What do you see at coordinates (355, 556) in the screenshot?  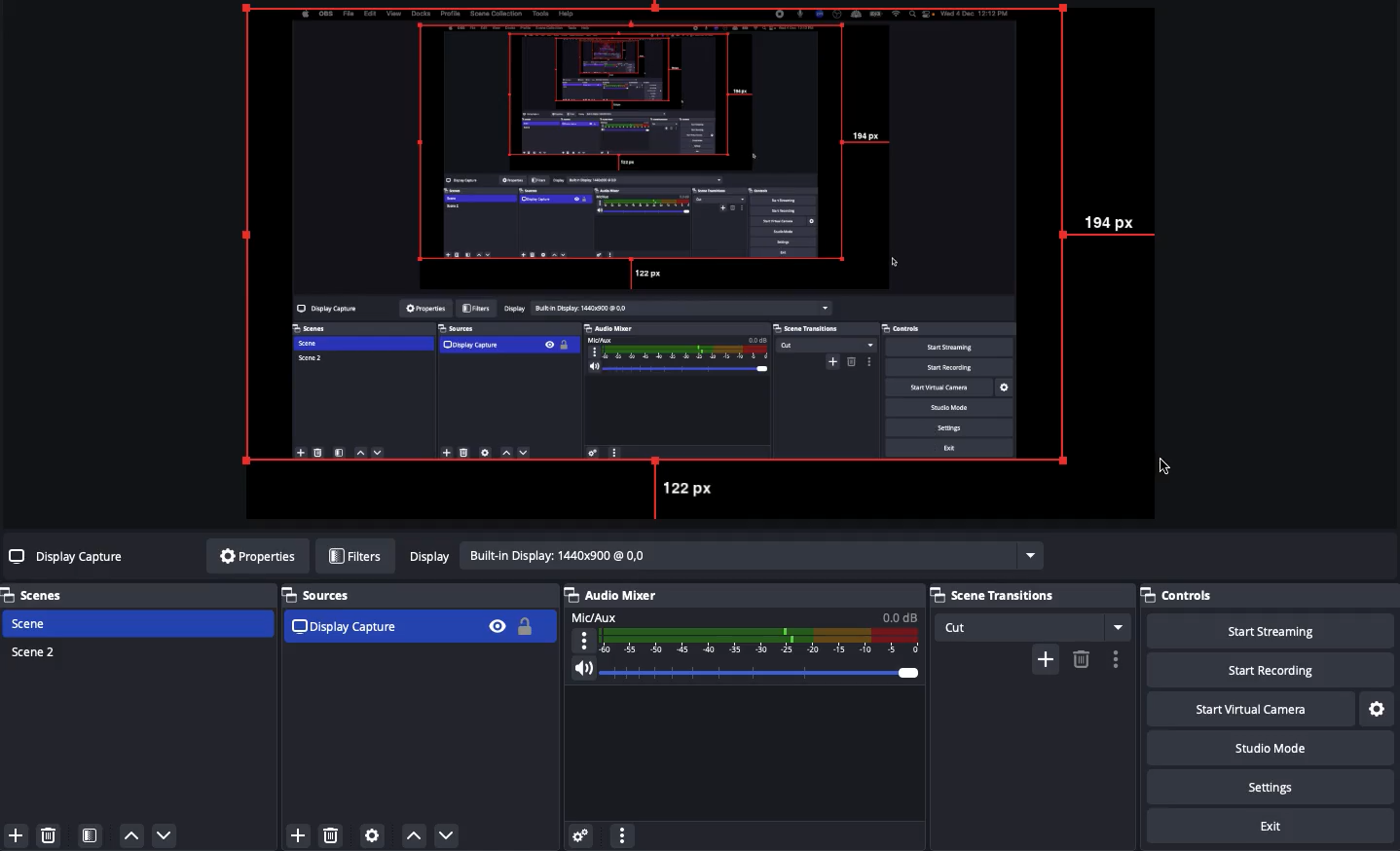 I see `Fitters` at bounding box center [355, 556].